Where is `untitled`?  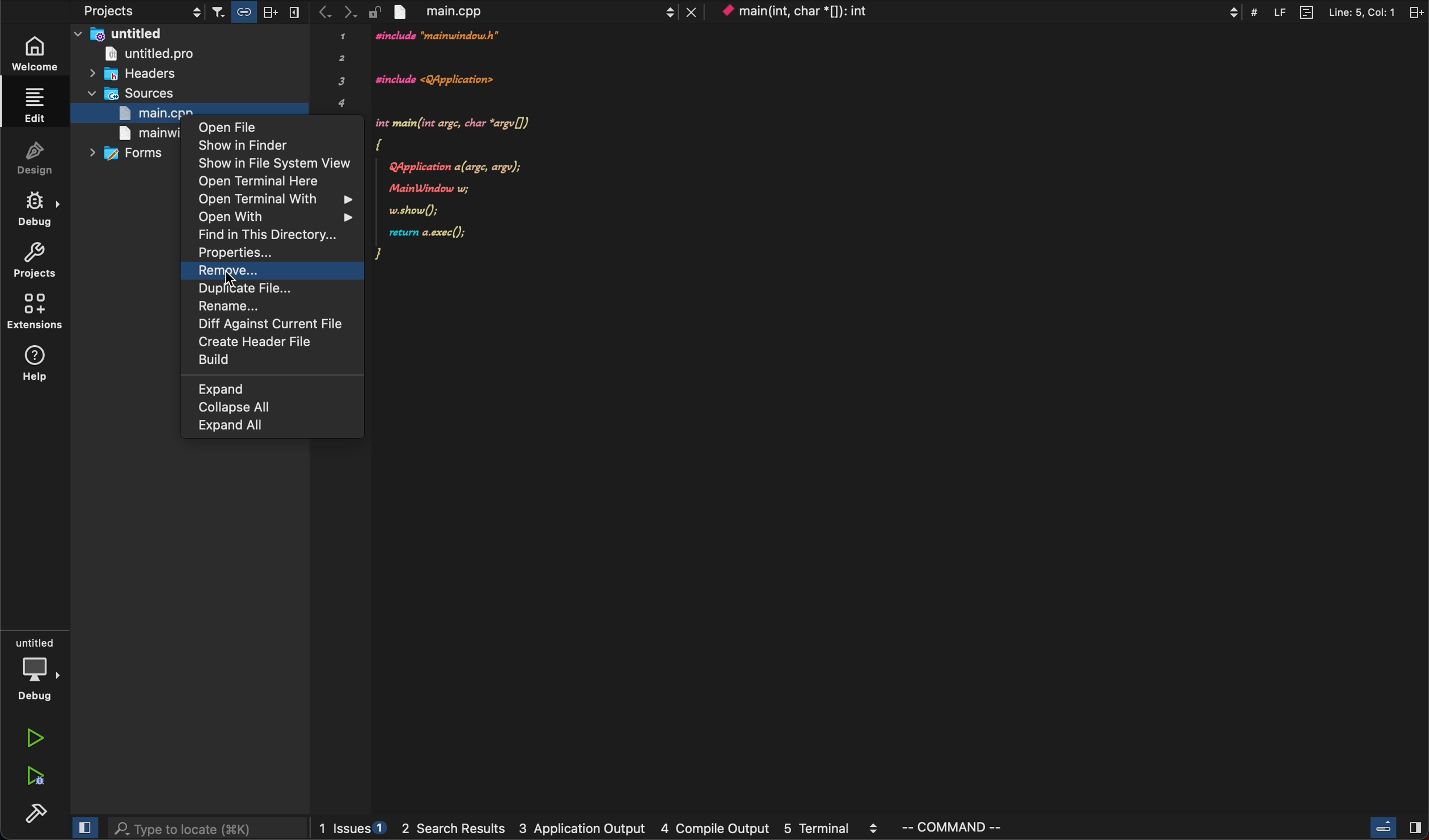
untitled is located at coordinates (189, 33).